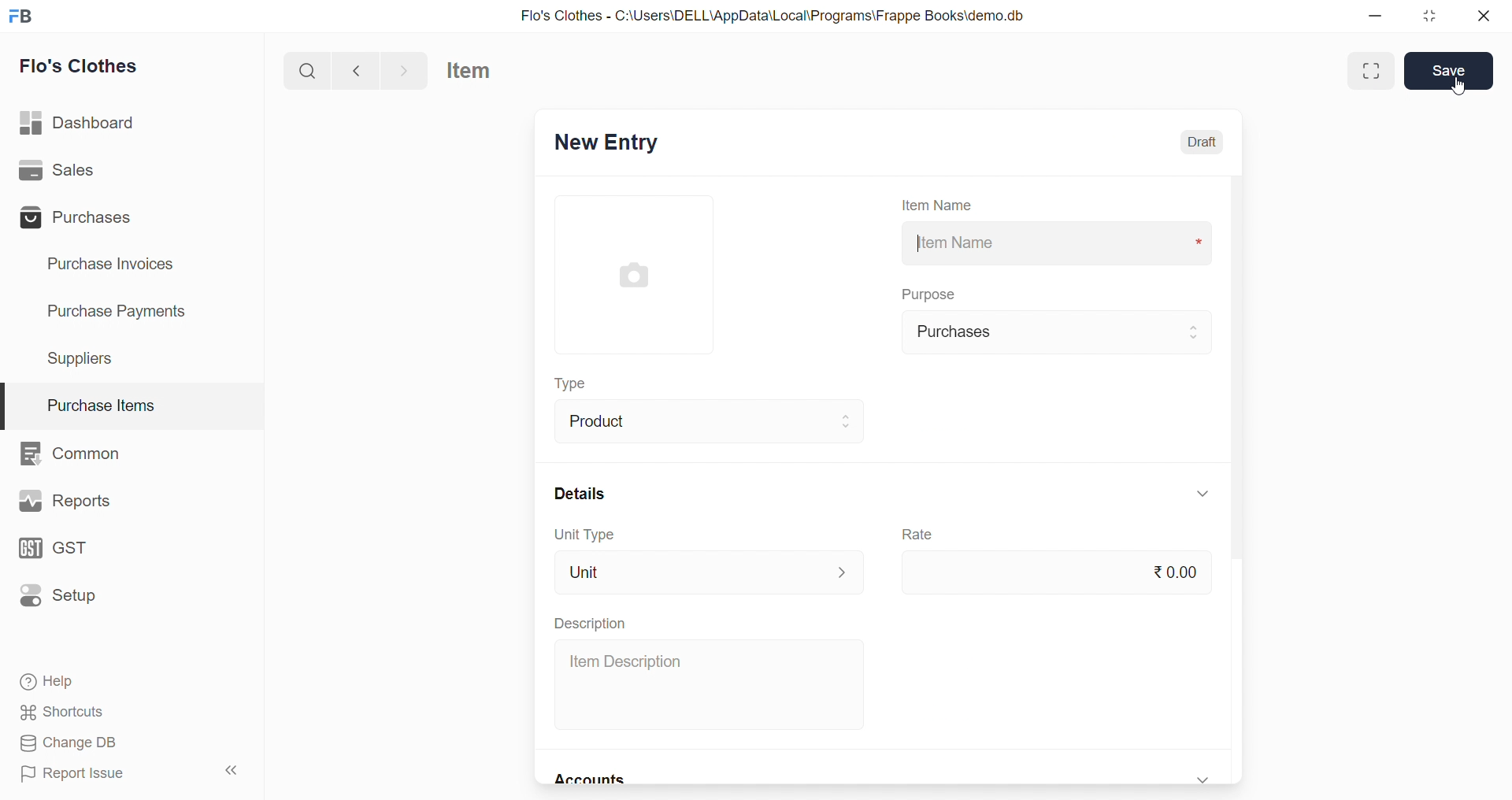  What do you see at coordinates (1243, 480) in the screenshot?
I see `scroll bar` at bounding box center [1243, 480].